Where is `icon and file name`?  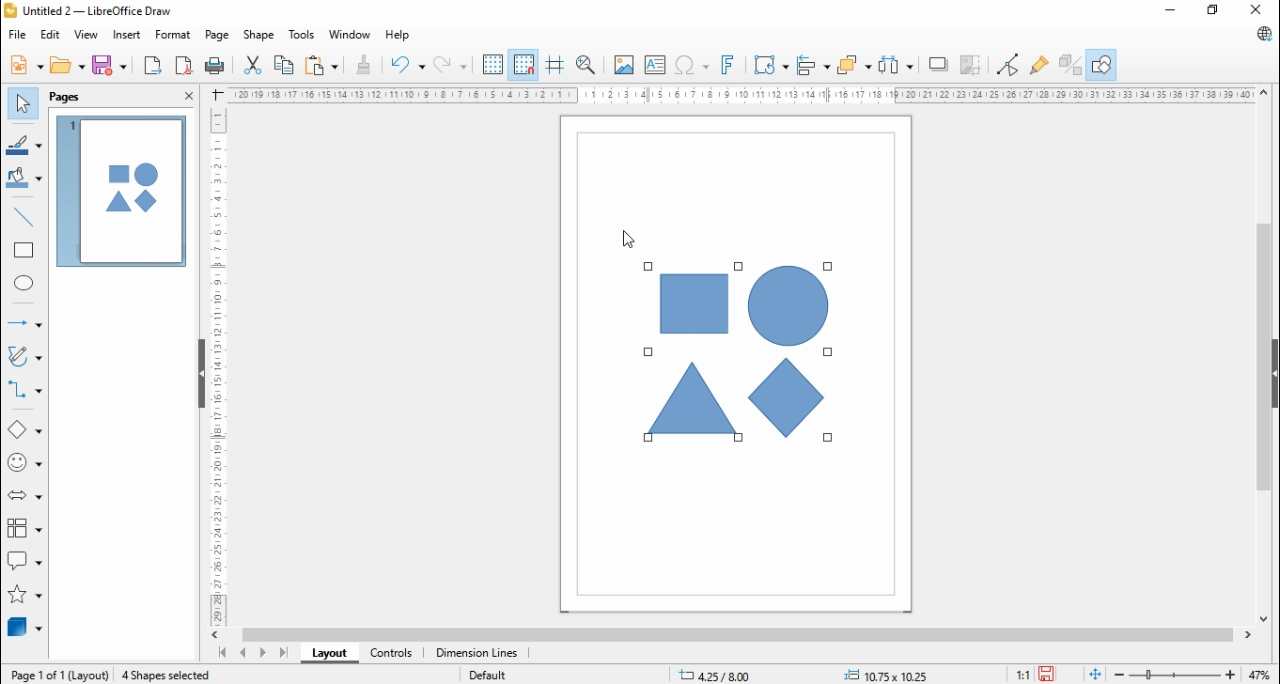 icon and file name is located at coordinates (90, 10).